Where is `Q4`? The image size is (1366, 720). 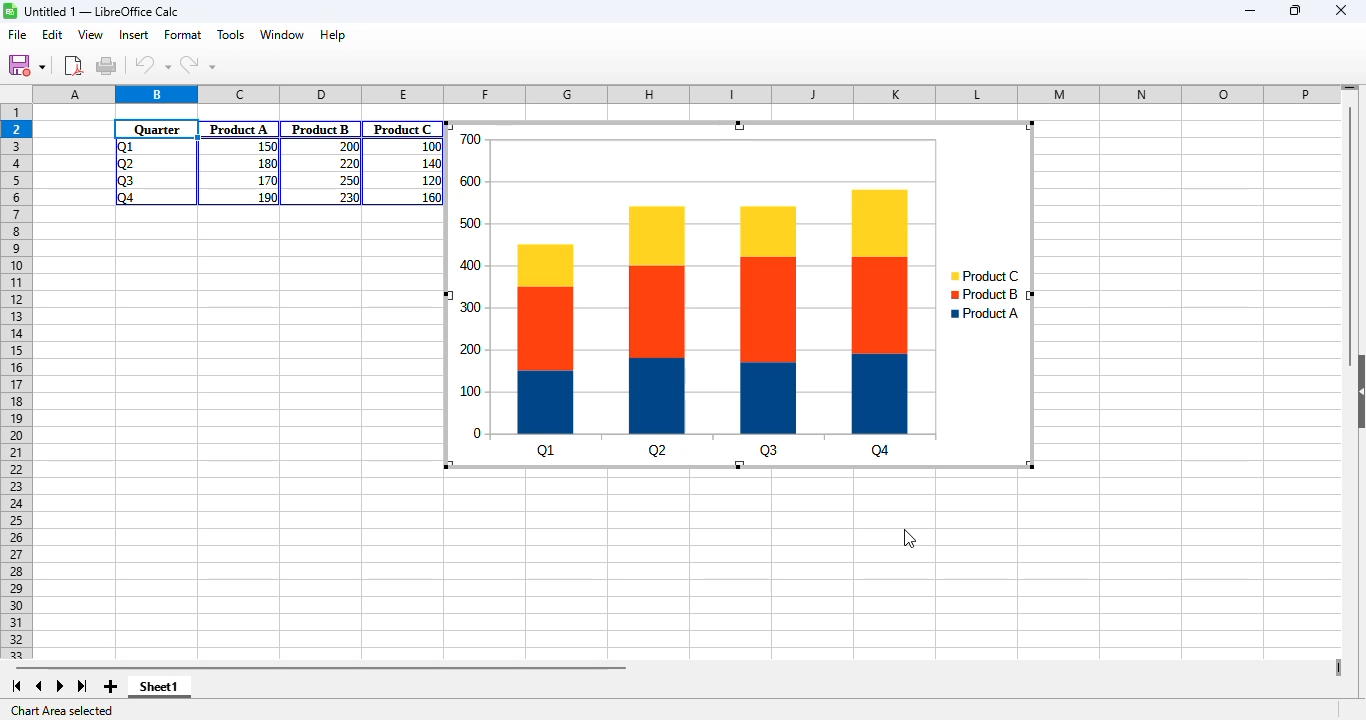
Q4 is located at coordinates (125, 198).